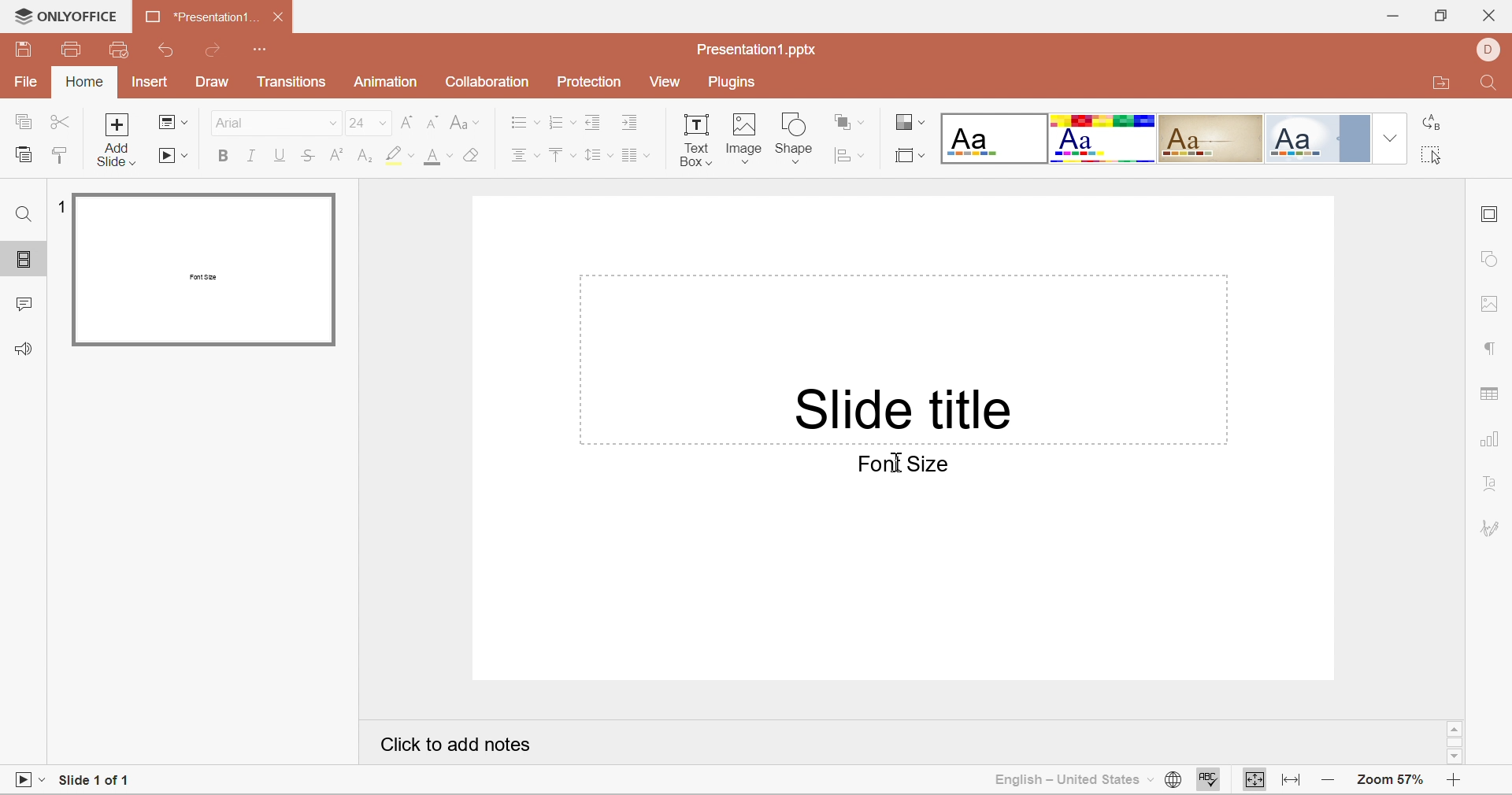 The image size is (1512, 795). What do you see at coordinates (57, 205) in the screenshot?
I see `1` at bounding box center [57, 205].